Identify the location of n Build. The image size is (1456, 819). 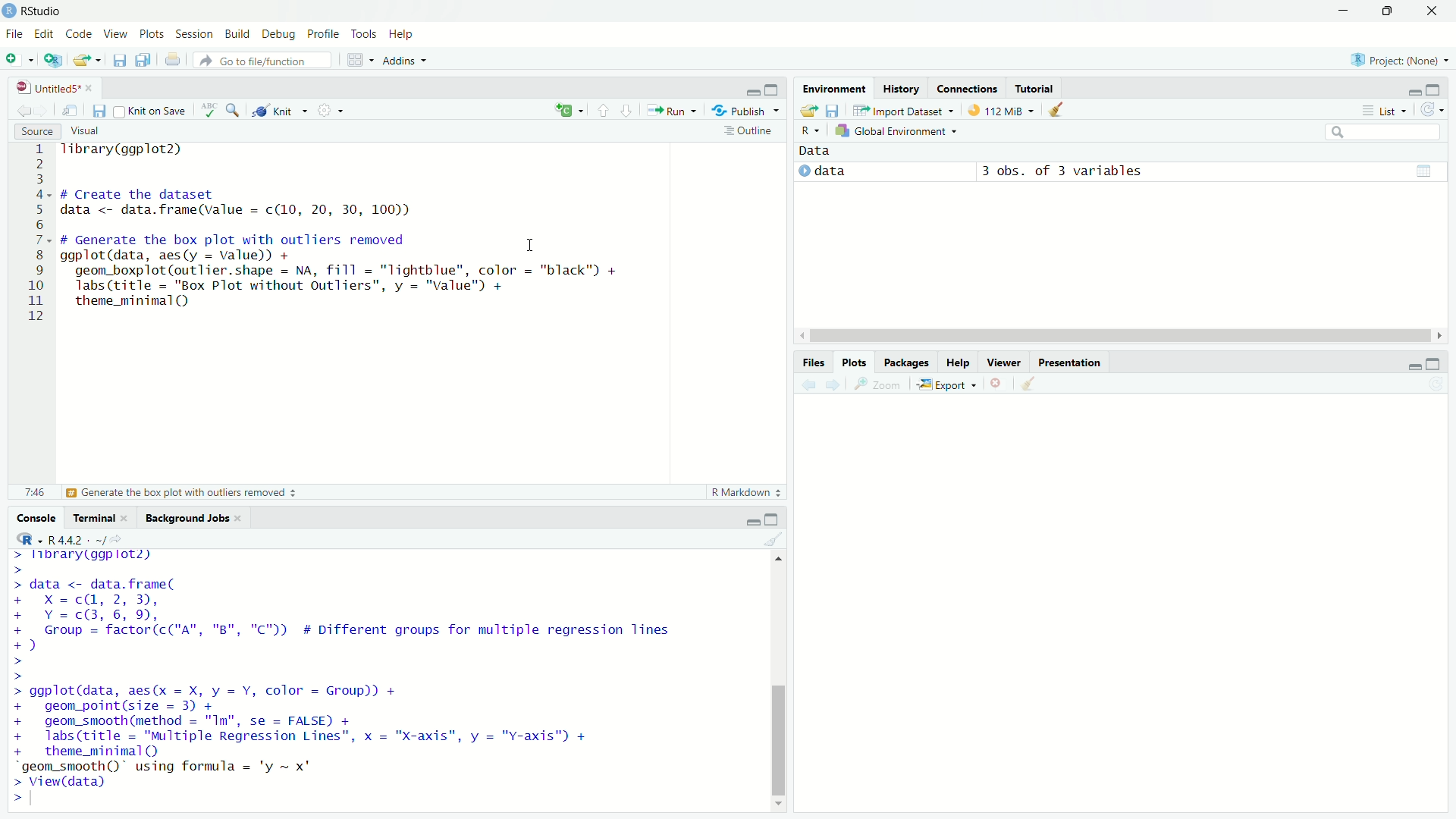
(237, 35).